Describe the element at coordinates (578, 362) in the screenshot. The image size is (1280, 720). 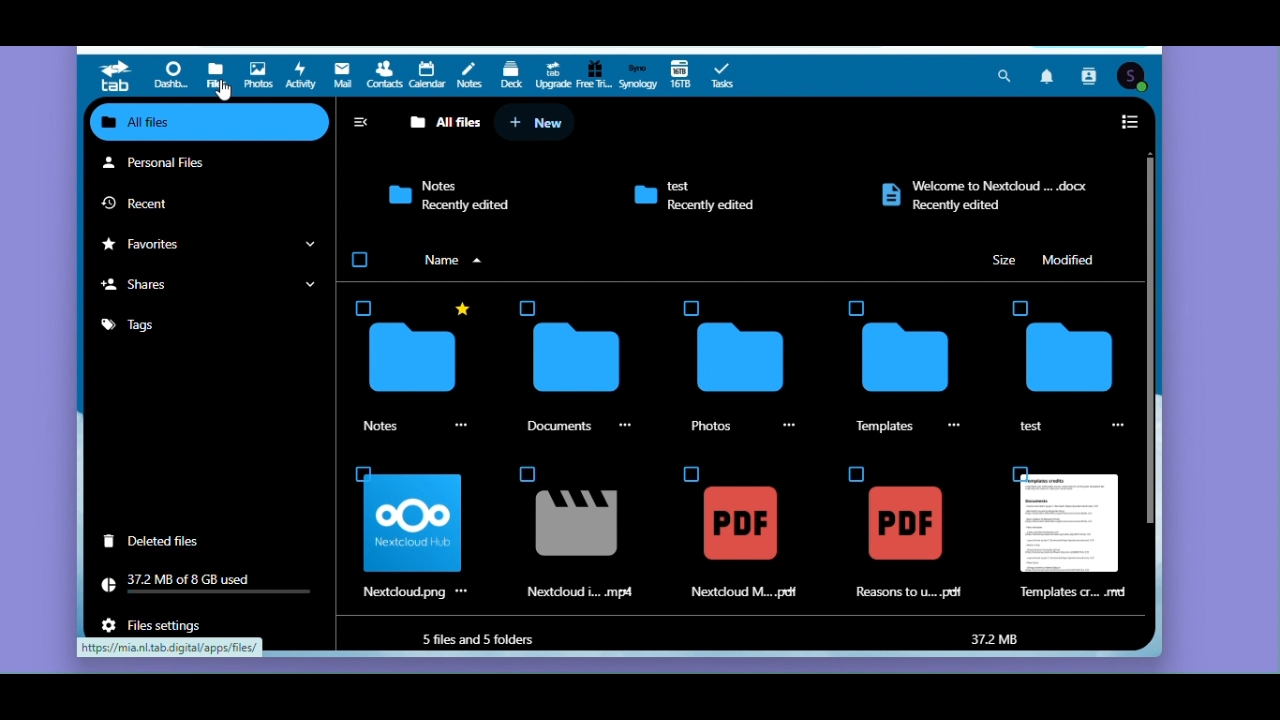
I see `documents` at that location.